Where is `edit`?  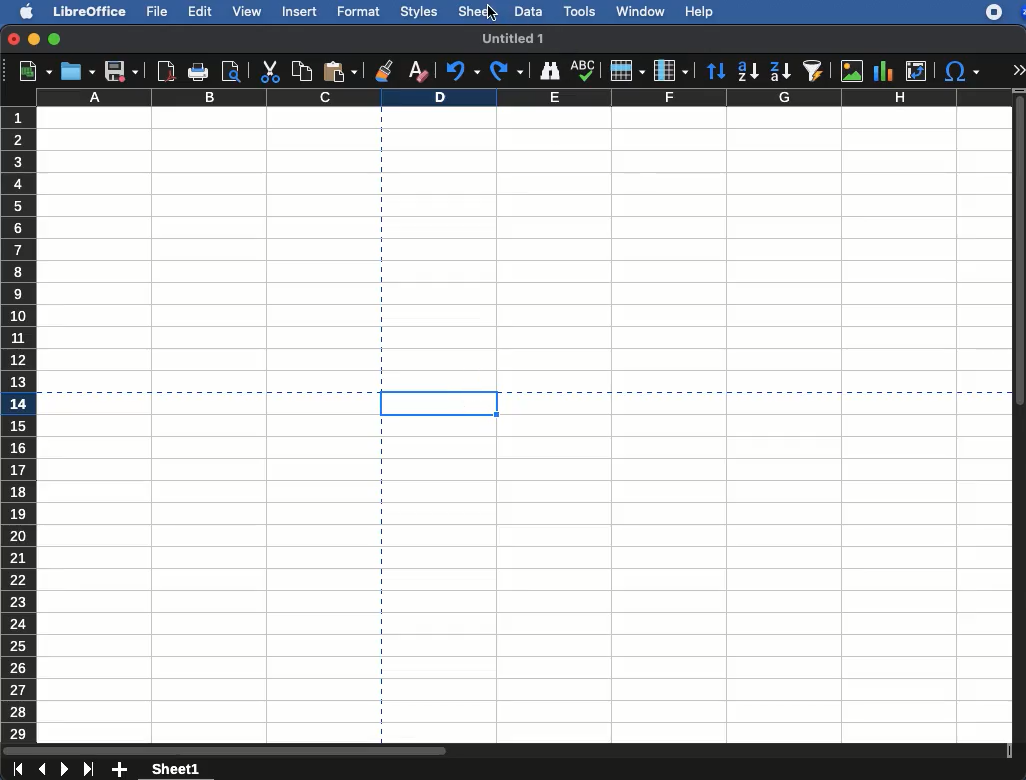
edit is located at coordinates (199, 12).